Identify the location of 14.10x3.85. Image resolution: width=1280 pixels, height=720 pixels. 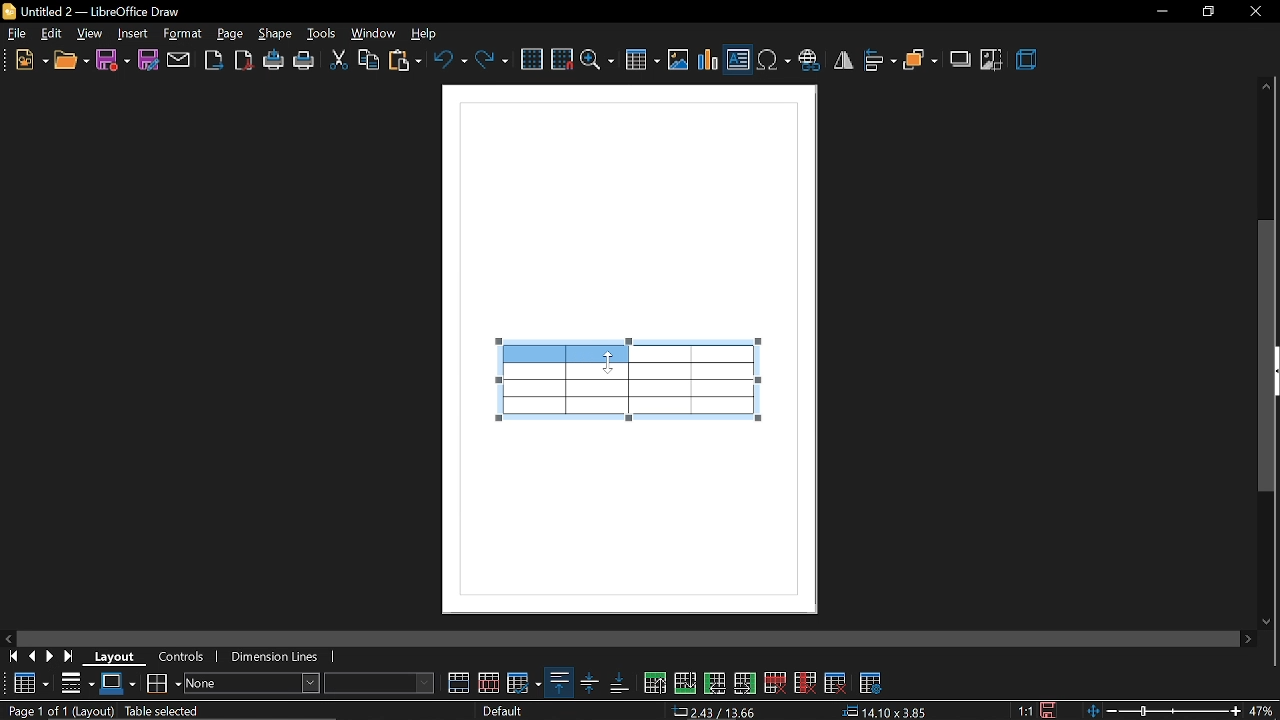
(886, 713).